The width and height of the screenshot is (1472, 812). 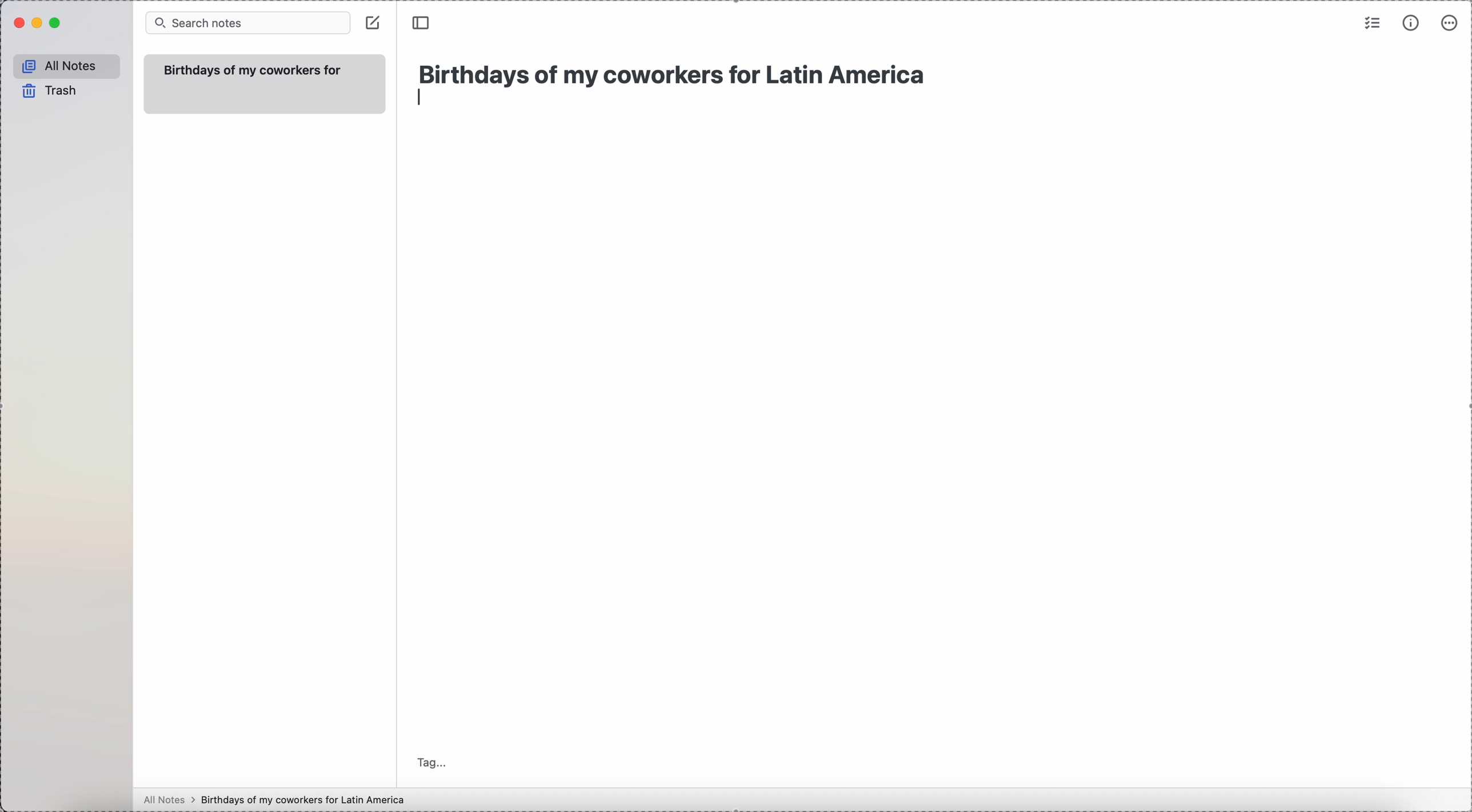 What do you see at coordinates (677, 71) in the screenshot?
I see `Birthdays of my coworkers for Latin America` at bounding box center [677, 71].